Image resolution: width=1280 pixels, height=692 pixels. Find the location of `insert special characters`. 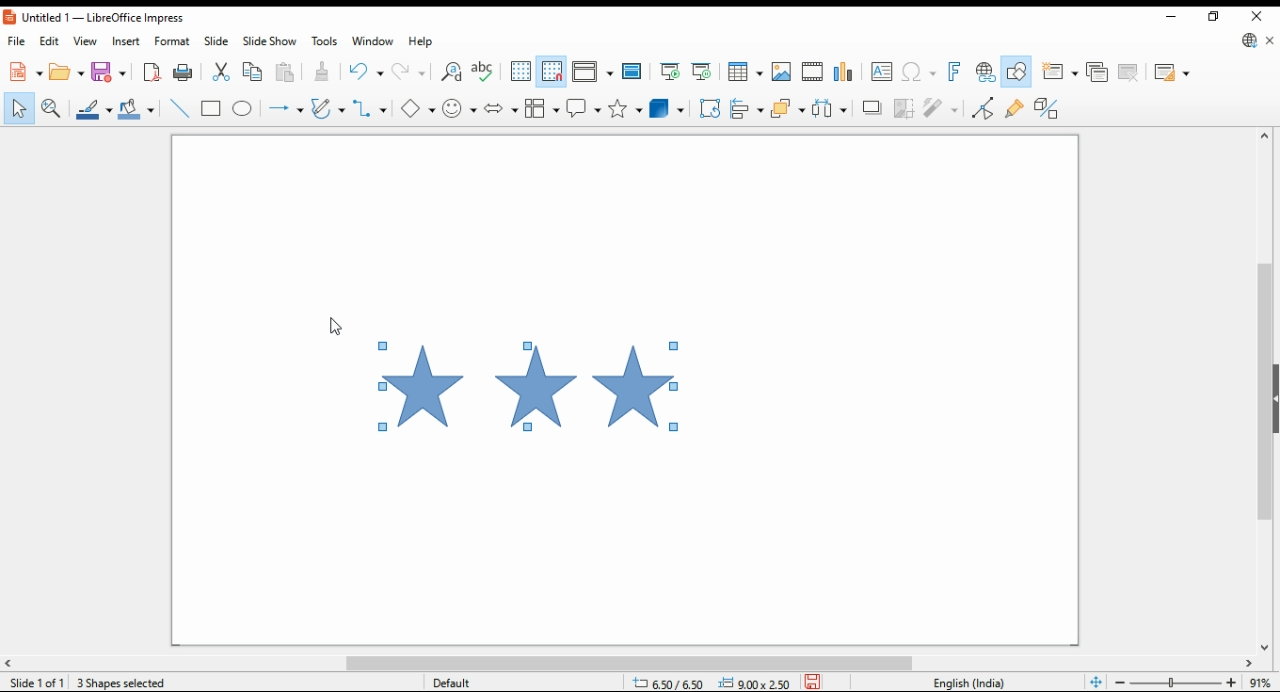

insert special characters is located at coordinates (919, 72).